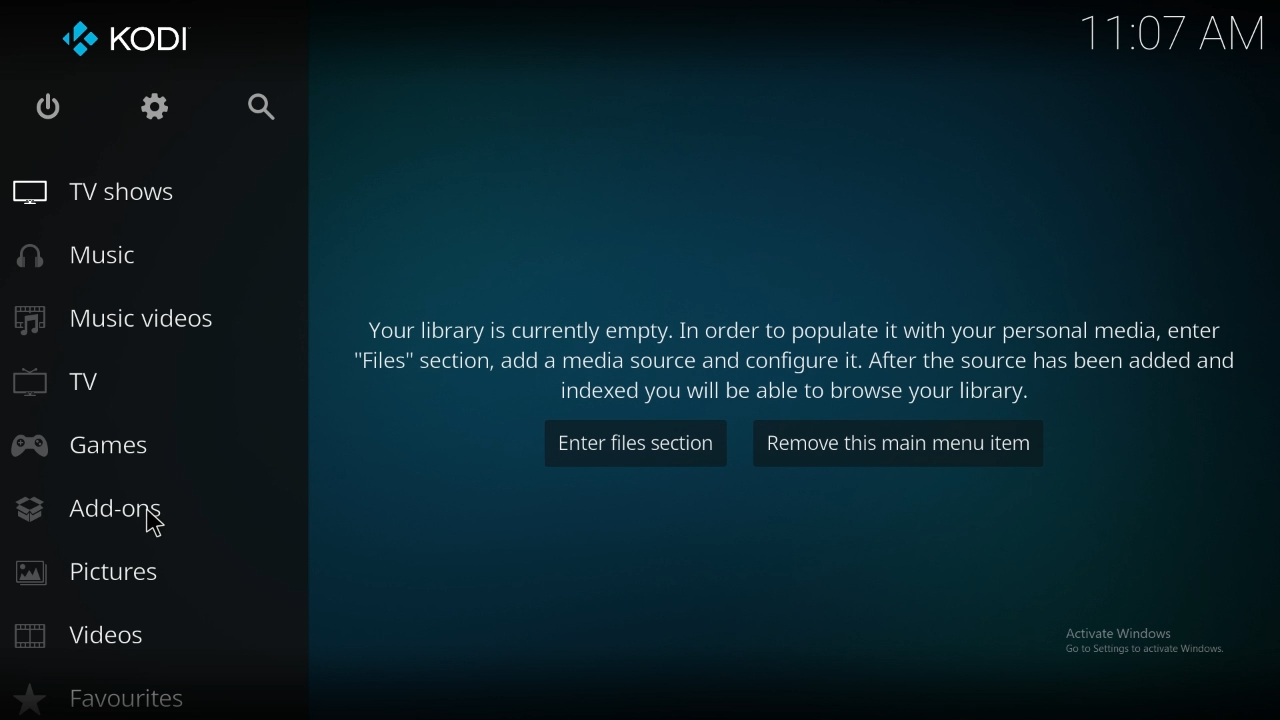  Describe the element at coordinates (49, 107) in the screenshot. I see `close` at that location.